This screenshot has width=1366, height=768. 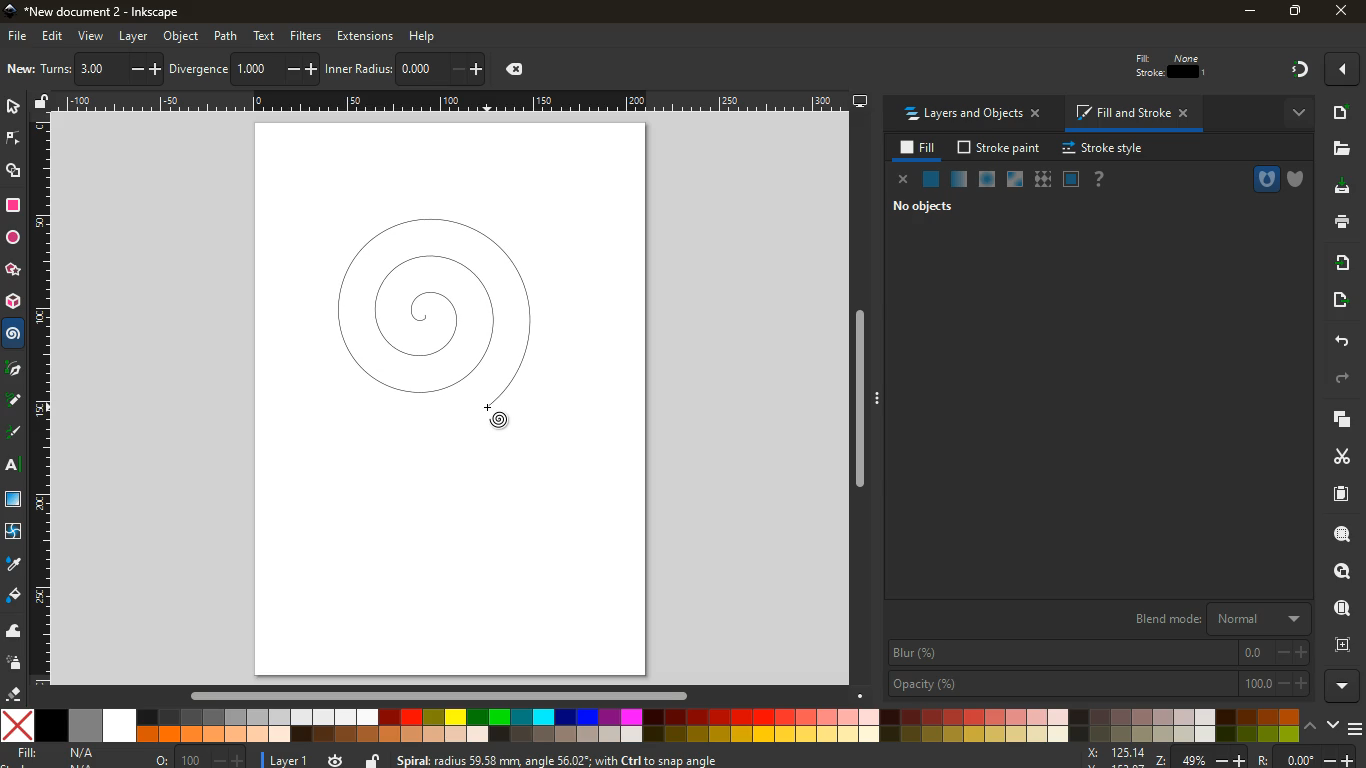 I want to click on eraser, so click(x=13, y=695).